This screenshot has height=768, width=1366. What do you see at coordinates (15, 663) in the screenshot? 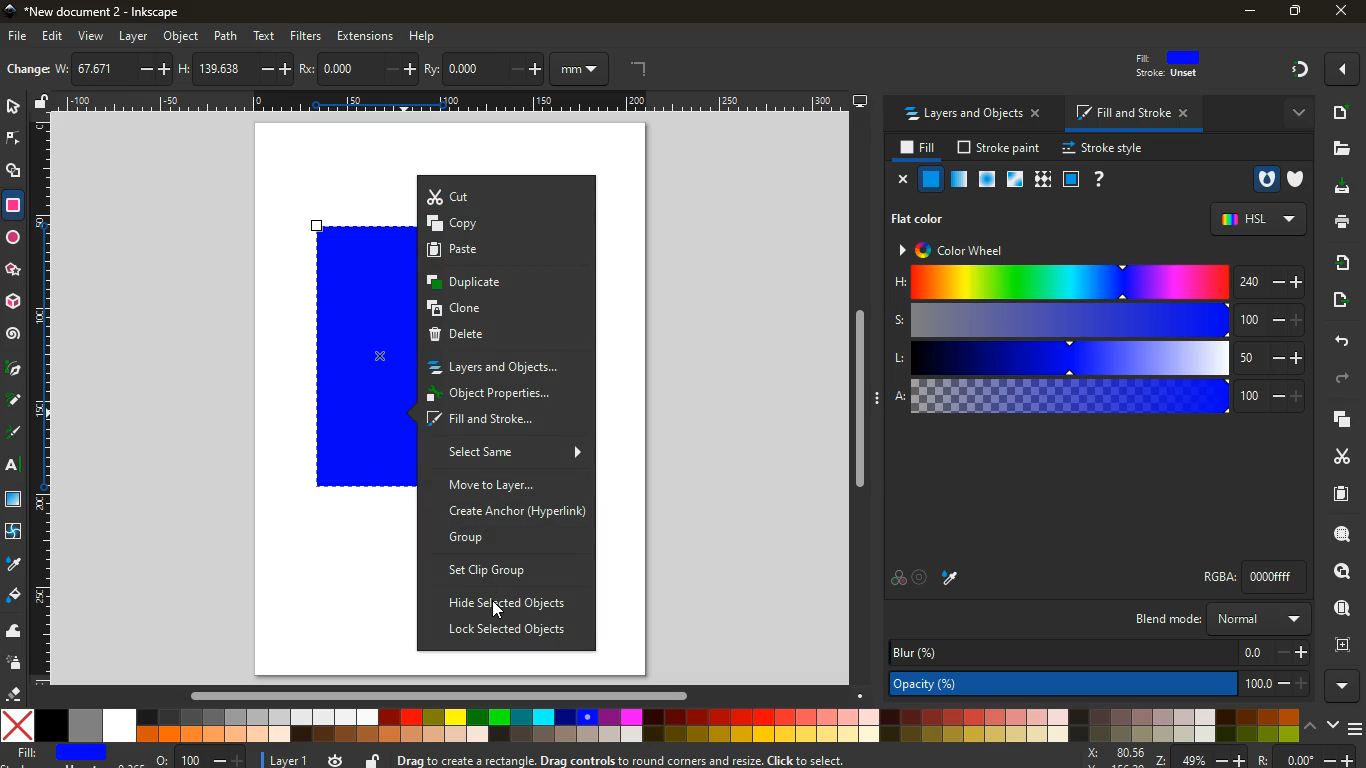
I see `spray` at bounding box center [15, 663].